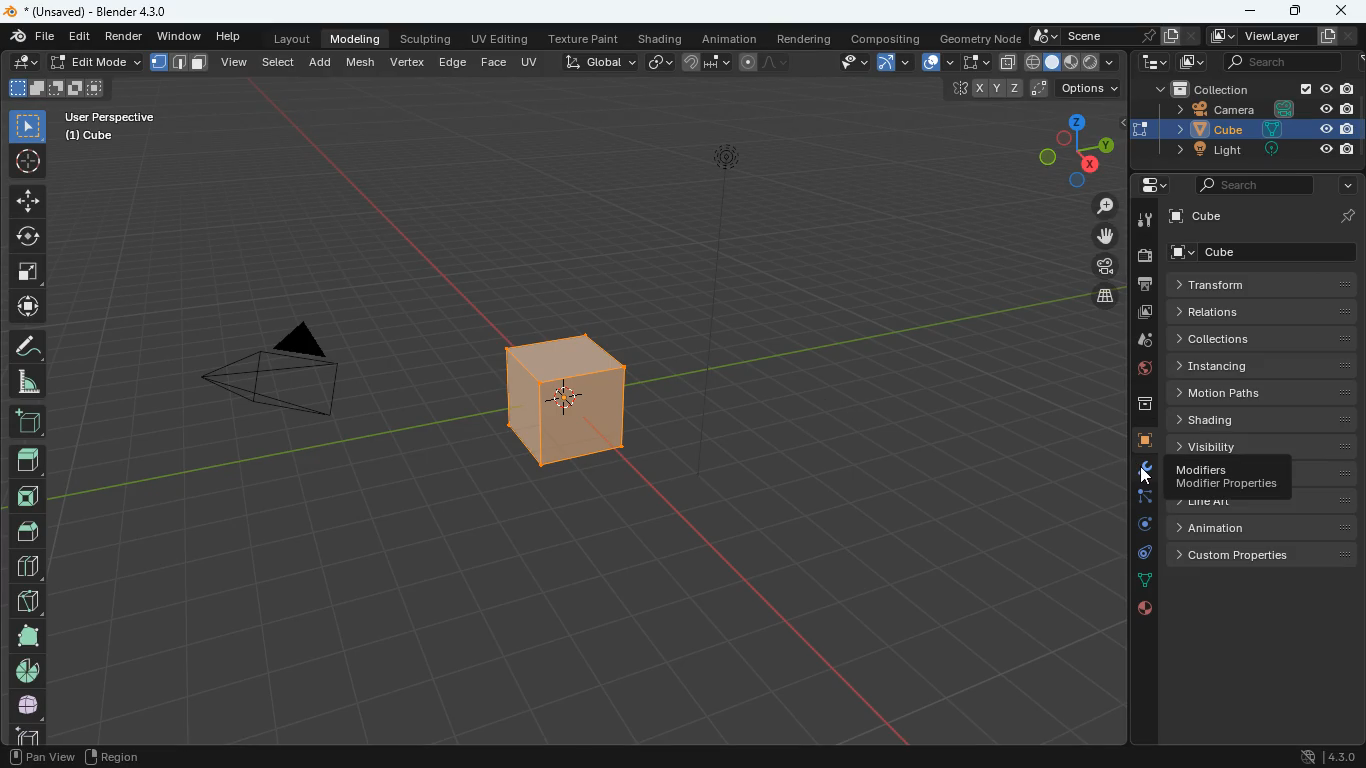  Describe the element at coordinates (1139, 371) in the screenshot. I see `world` at that location.